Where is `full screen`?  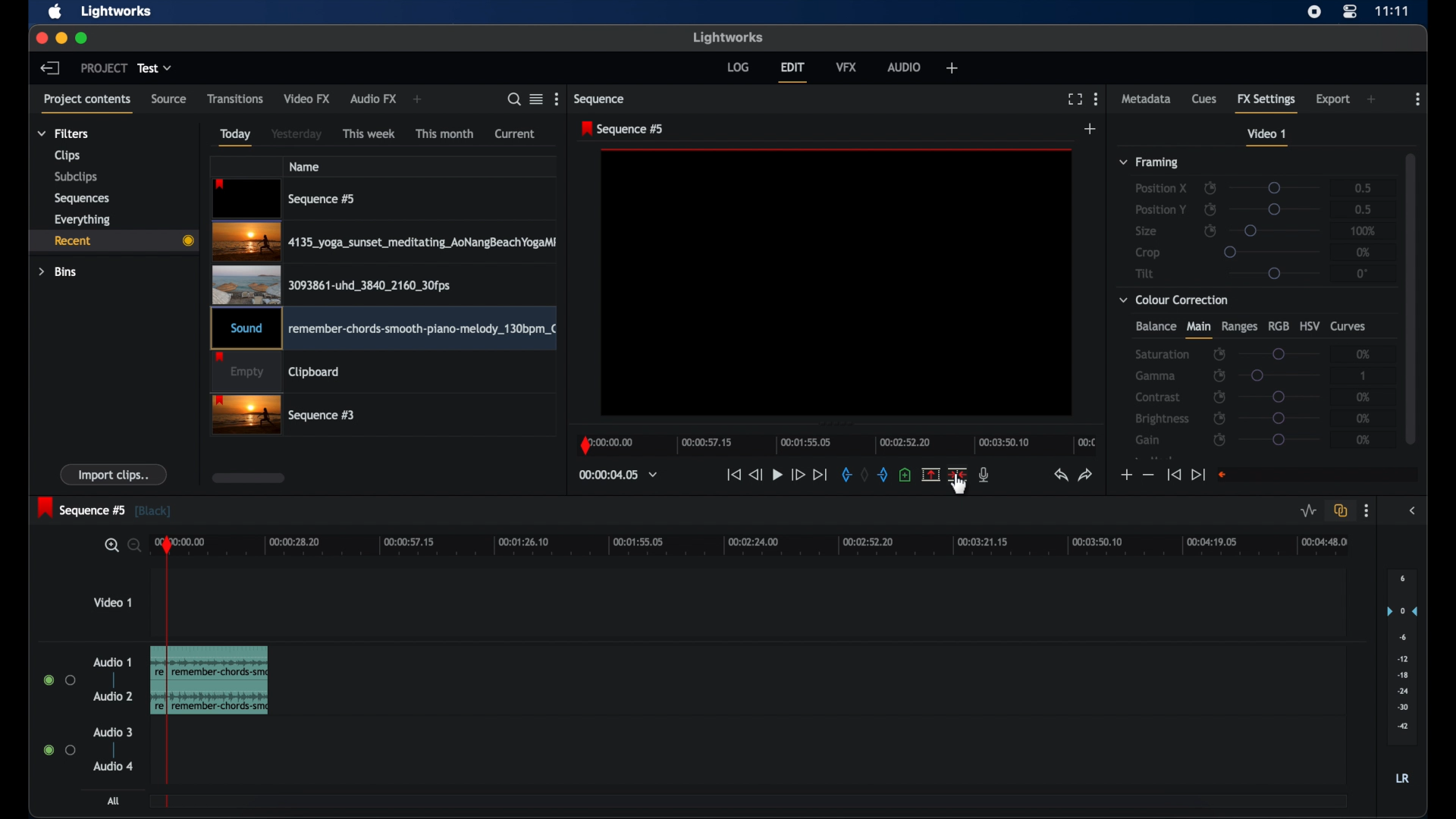
full screen is located at coordinates (1075, 99).